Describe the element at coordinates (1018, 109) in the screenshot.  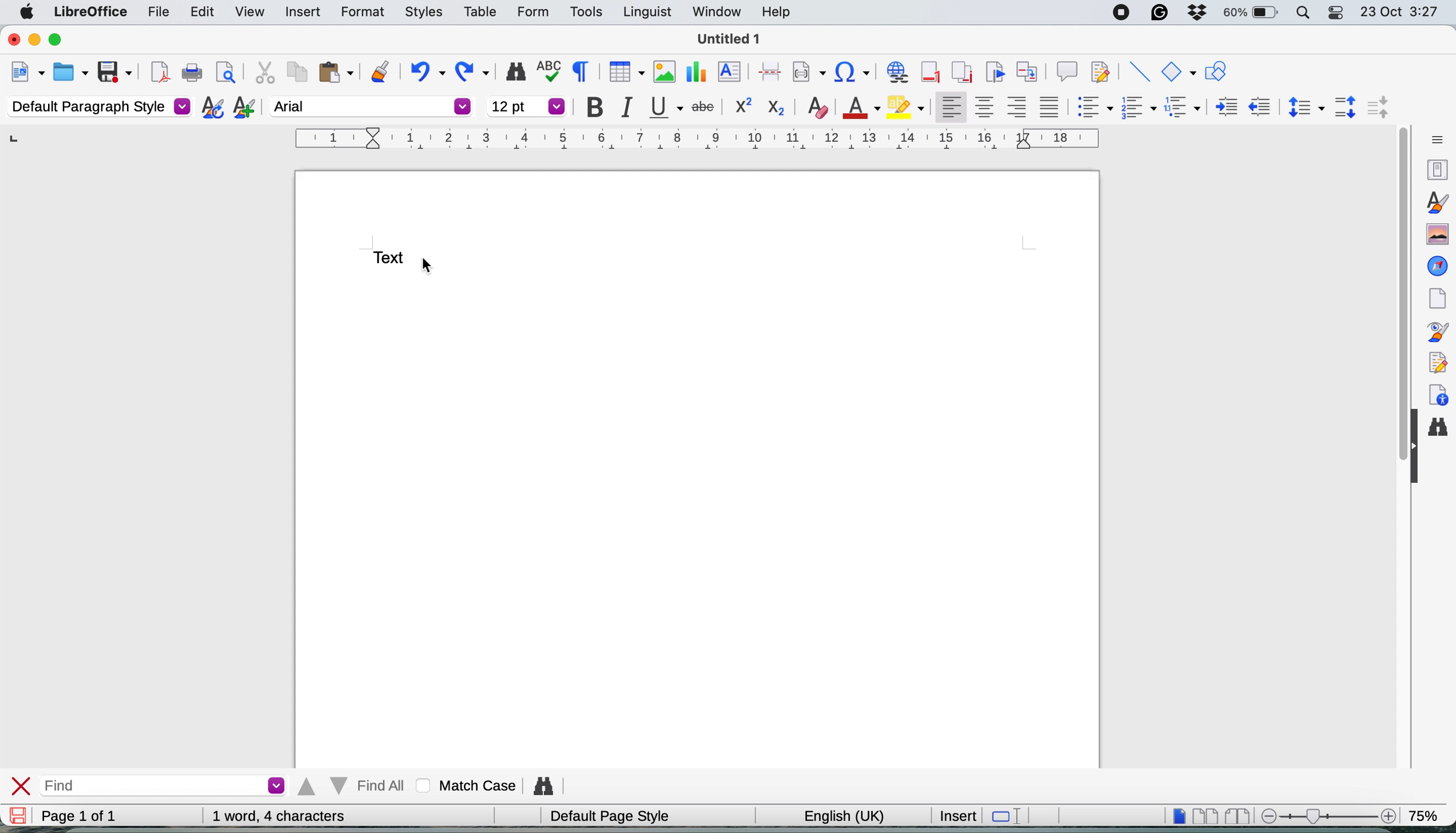
I see `align right` at that location.